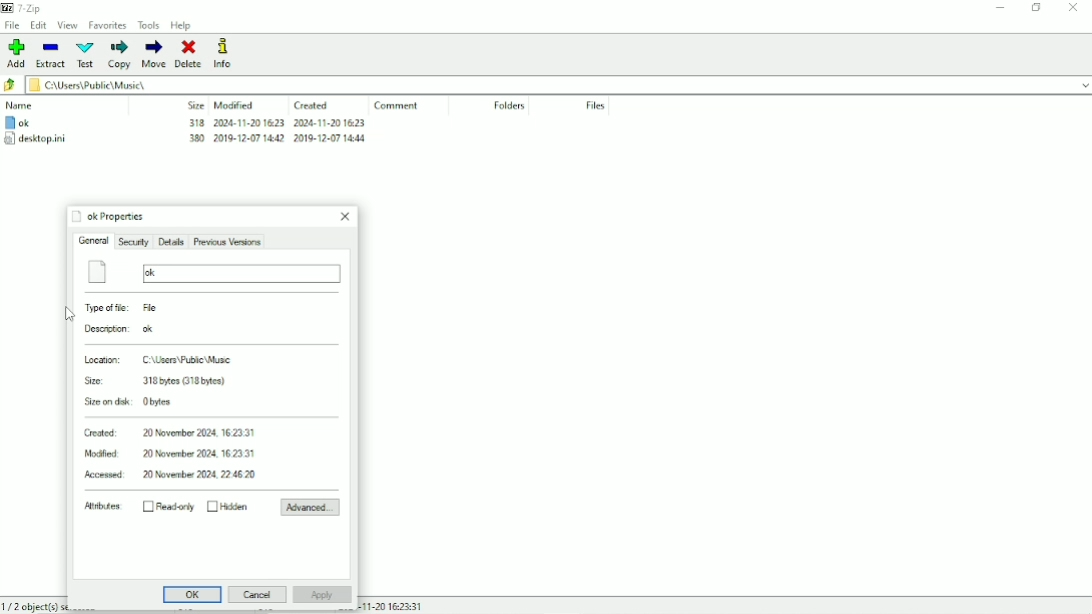  What do you see at coordinates (38, 26) in the screenshot?
I see `Edit` at bounding box center [38, 26].